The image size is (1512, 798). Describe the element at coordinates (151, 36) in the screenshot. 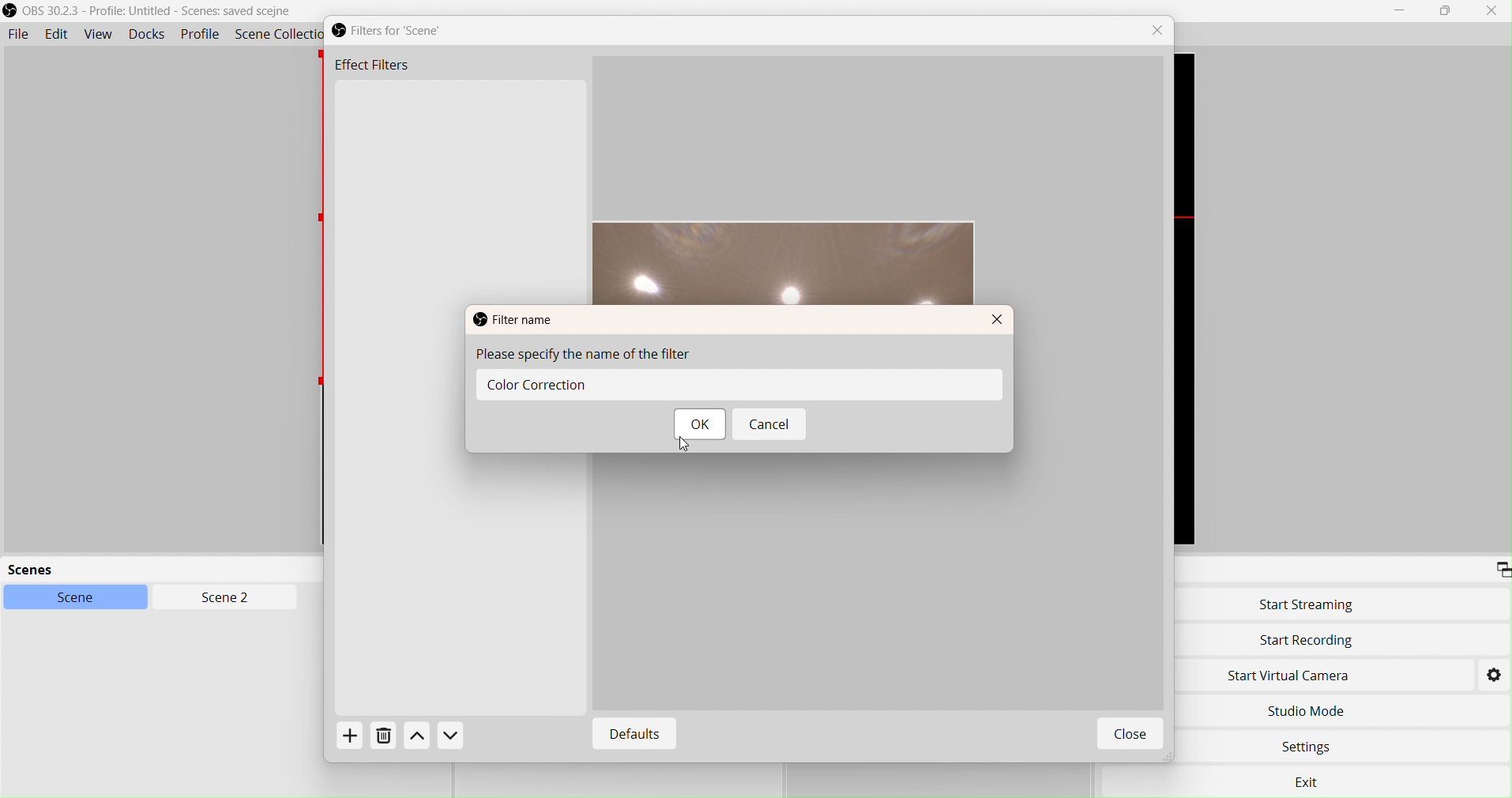

I see `Docks` at that location.